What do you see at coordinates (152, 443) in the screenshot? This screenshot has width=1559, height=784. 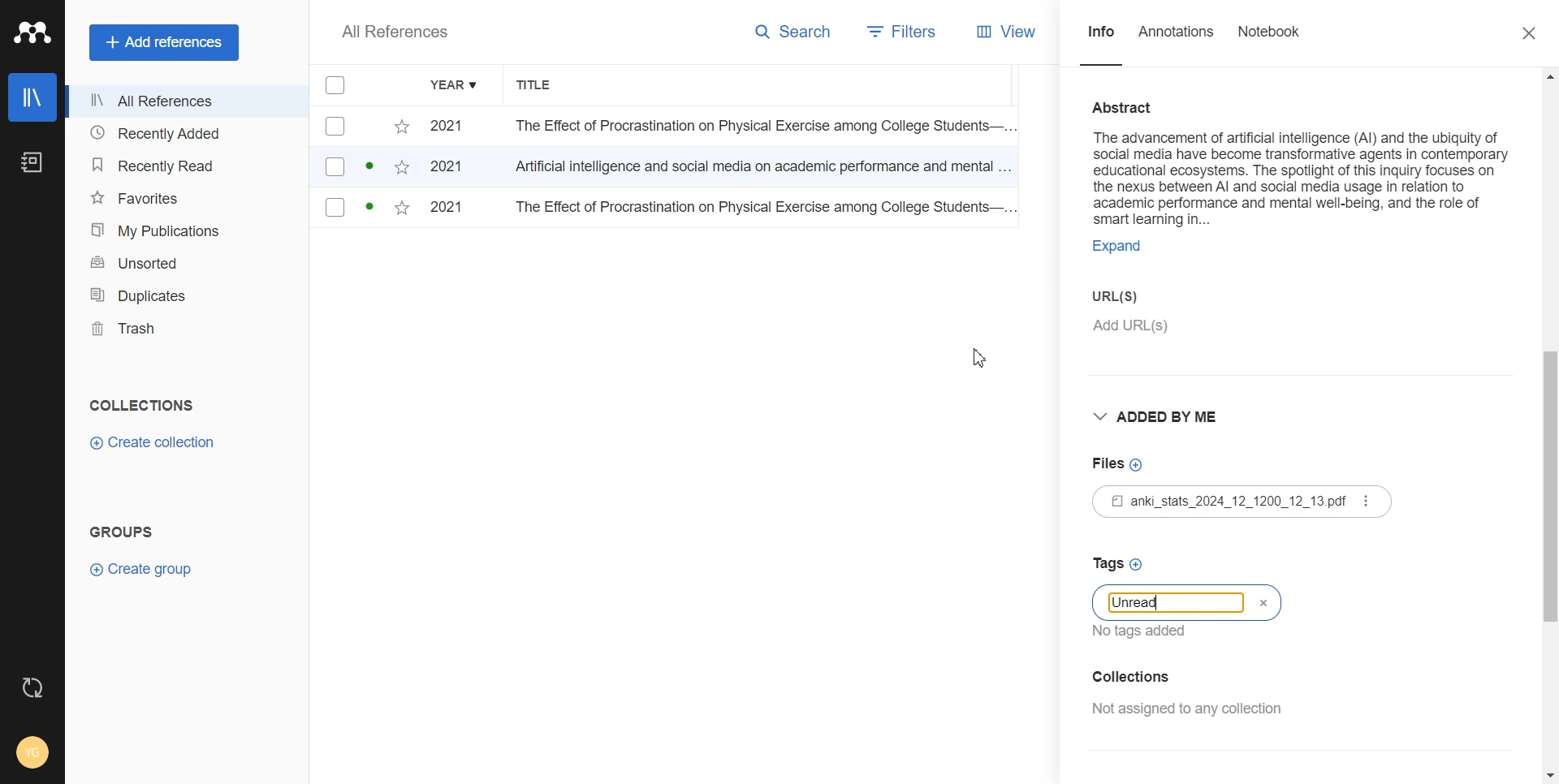 I see `Create collection` at bounding box center [152, 443].